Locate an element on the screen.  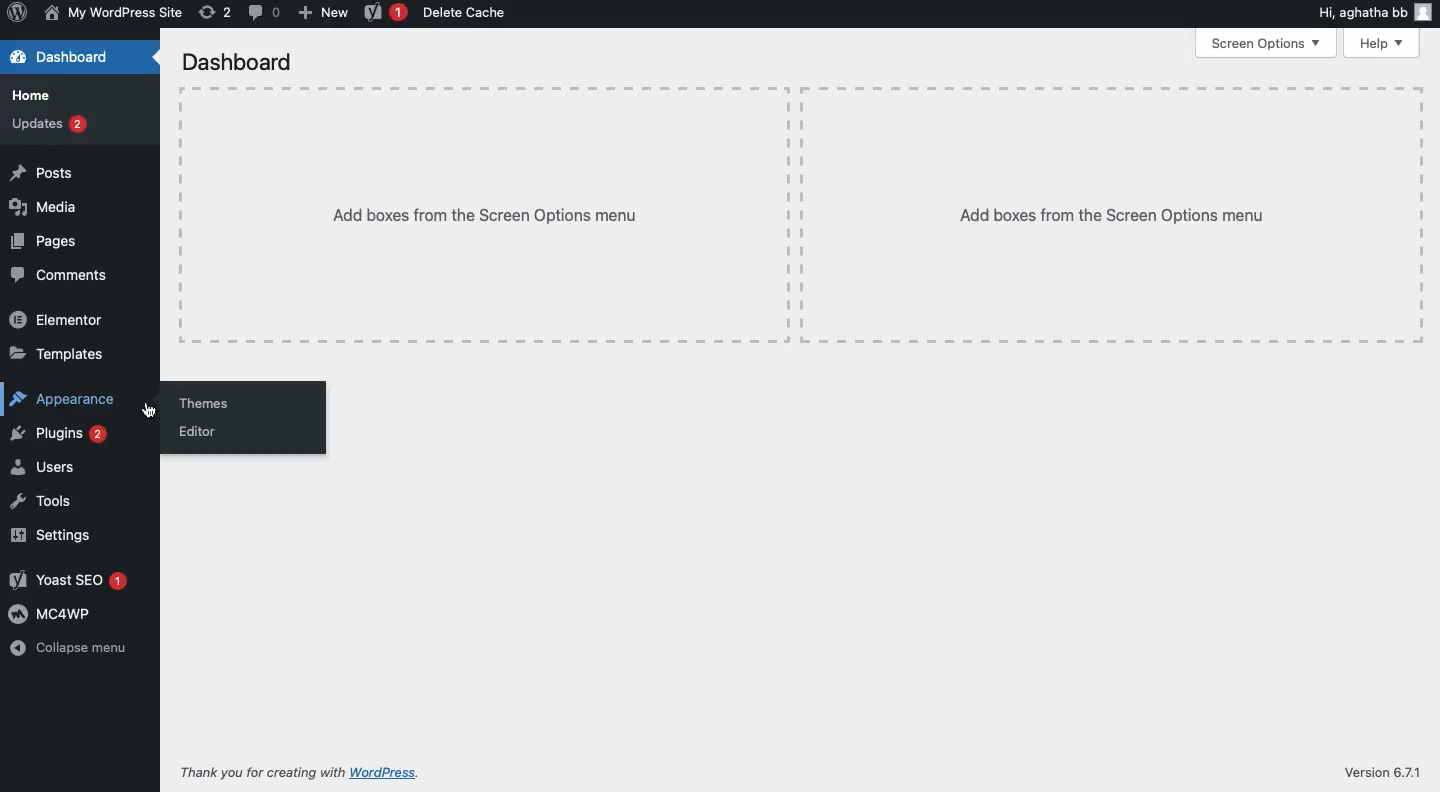
Pages is located at coordinates (44, 243).